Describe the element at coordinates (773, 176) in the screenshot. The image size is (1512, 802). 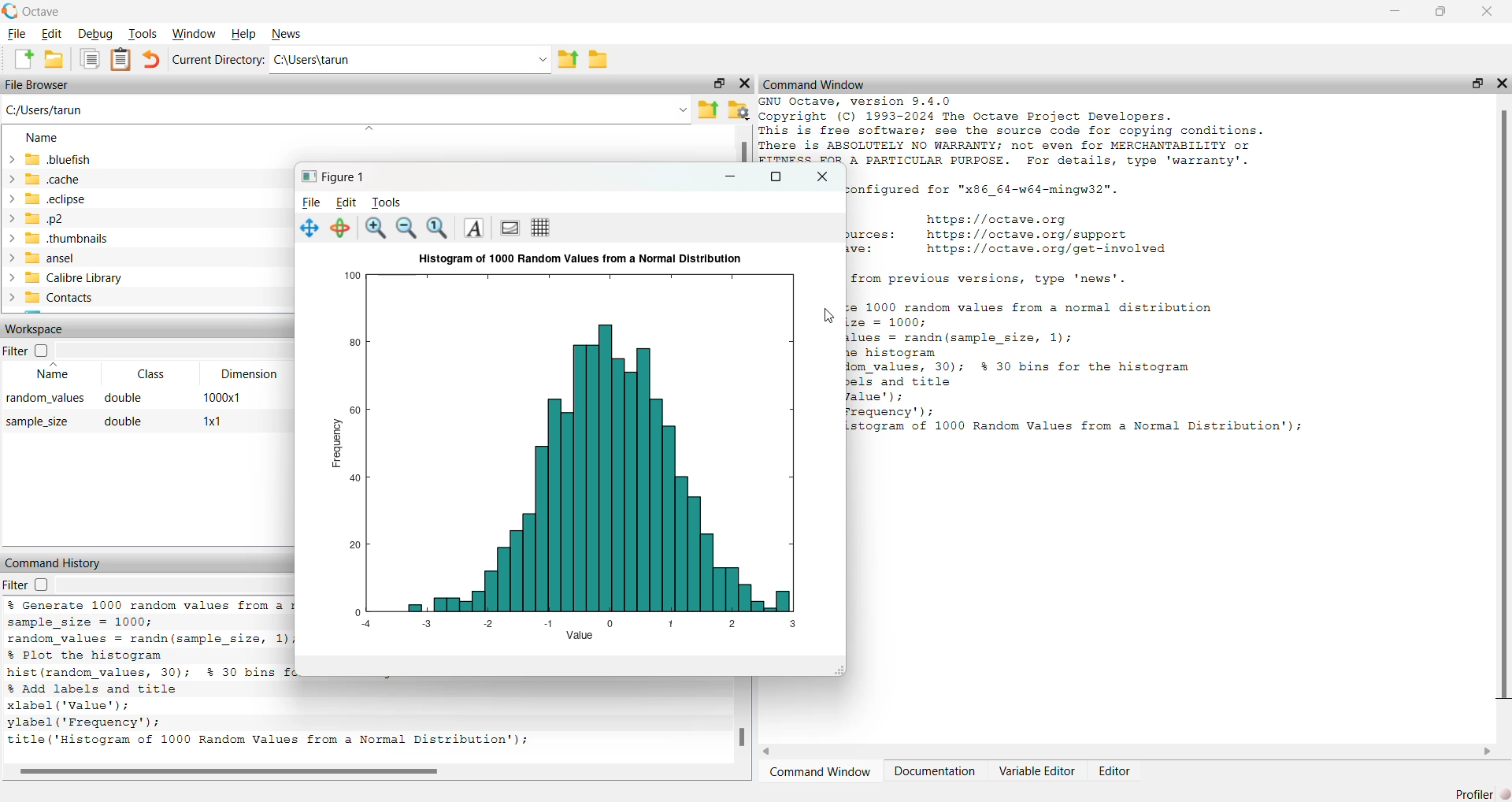
I see `full screen` at that location.